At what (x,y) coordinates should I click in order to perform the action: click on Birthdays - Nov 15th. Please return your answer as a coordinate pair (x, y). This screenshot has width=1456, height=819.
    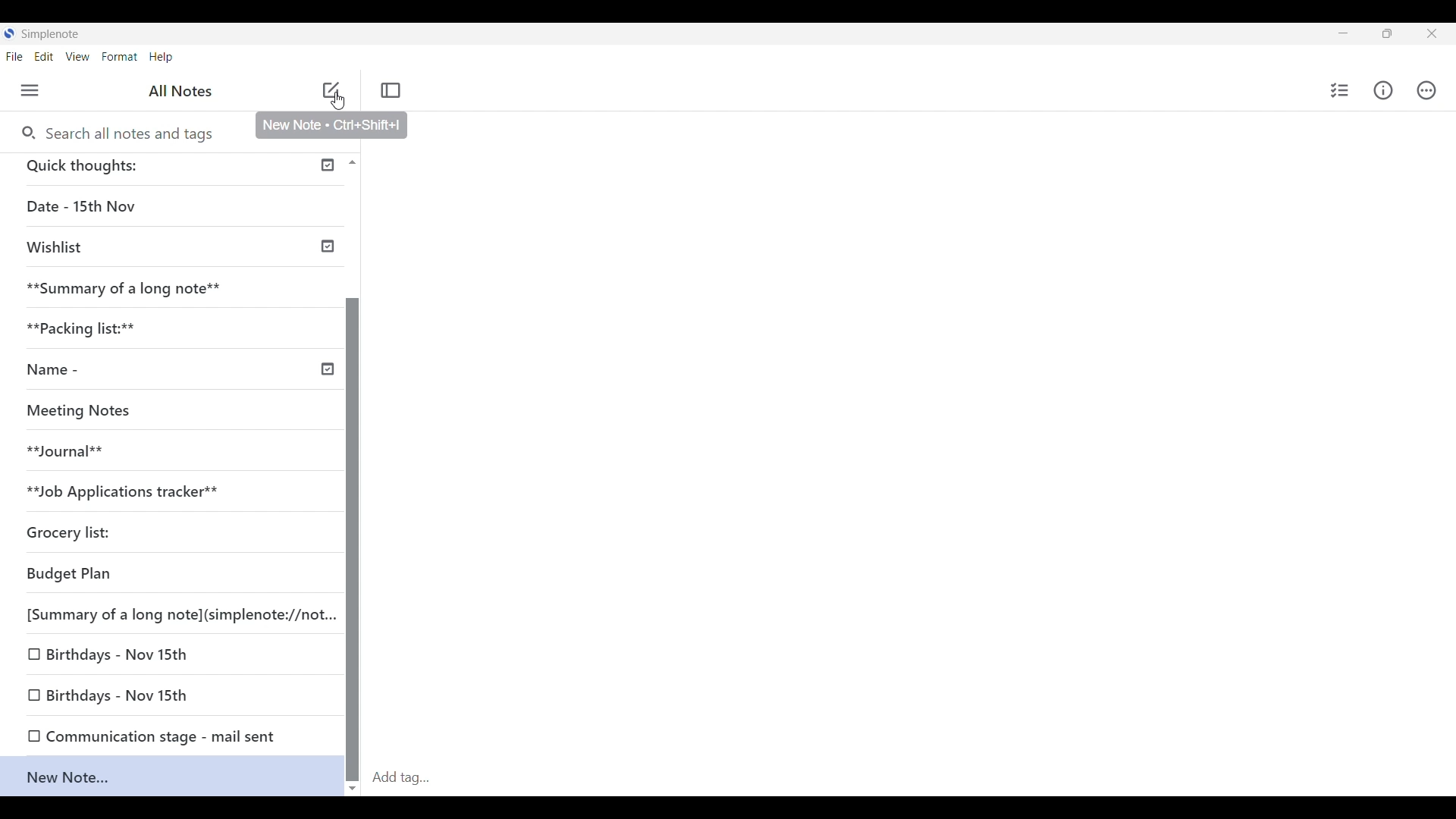
    Looking at the image, I should click on (174, 697).